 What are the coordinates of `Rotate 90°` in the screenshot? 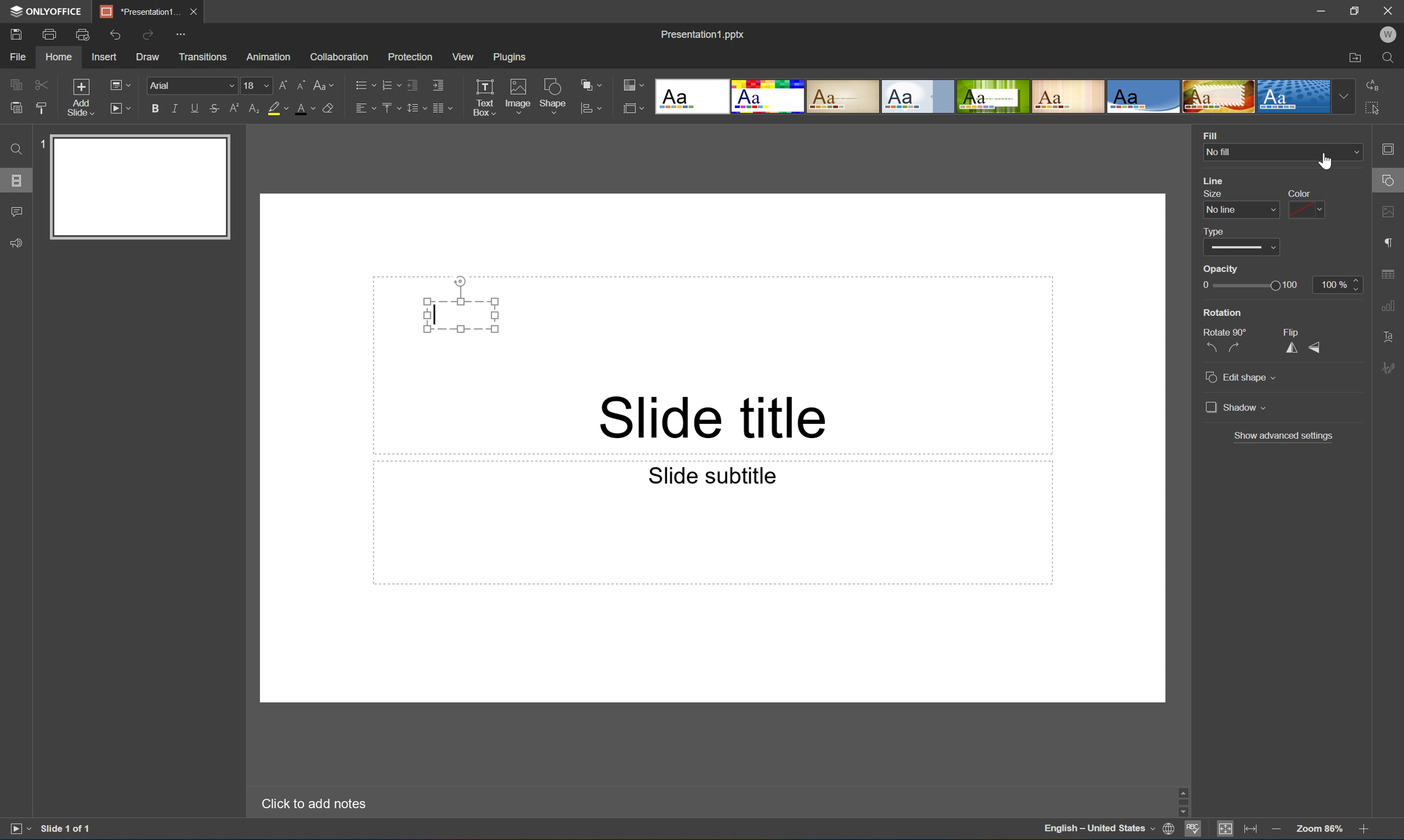 It's located at (1225, 331).